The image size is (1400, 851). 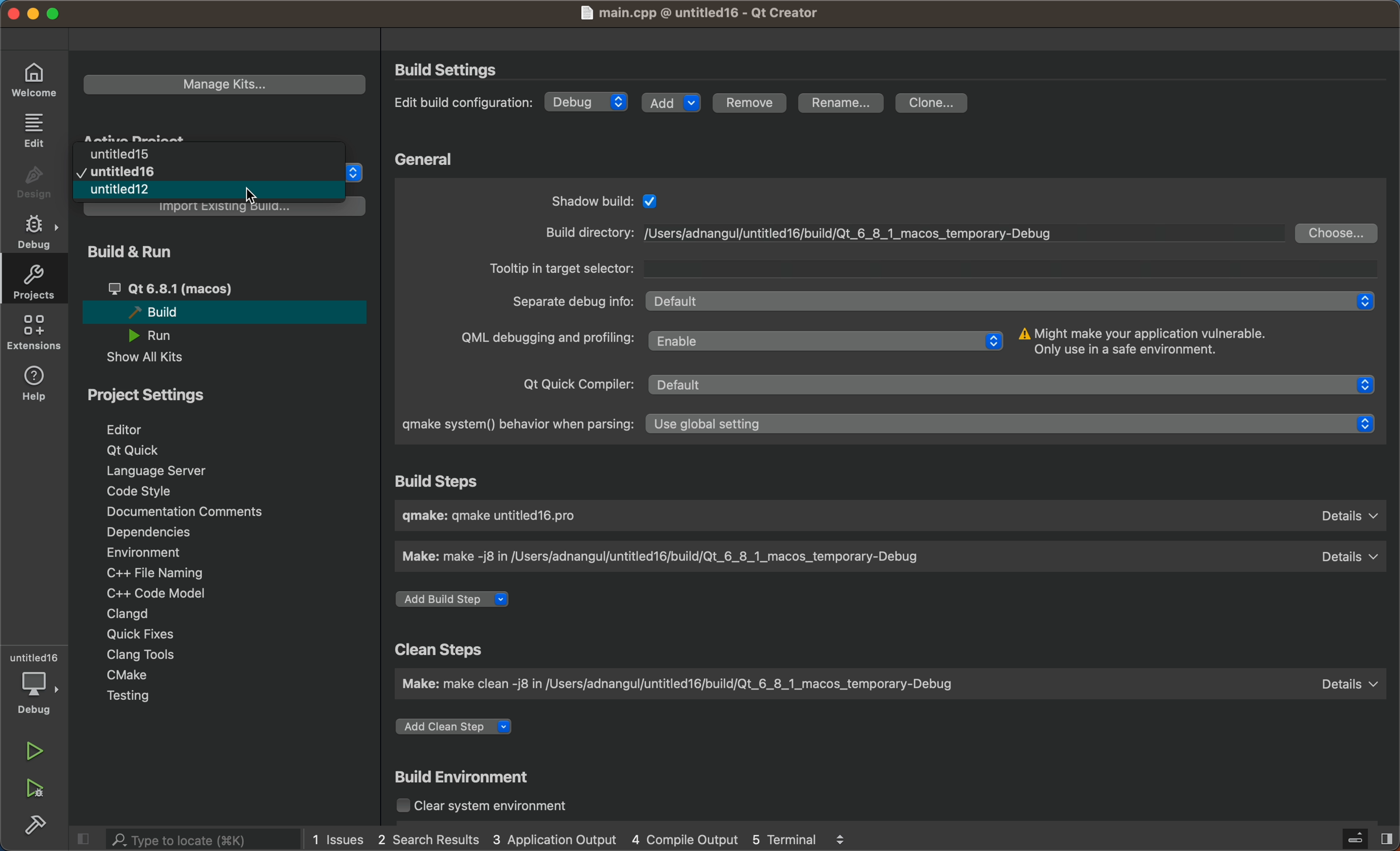 I want to click on design, so click(x=32, y=182).